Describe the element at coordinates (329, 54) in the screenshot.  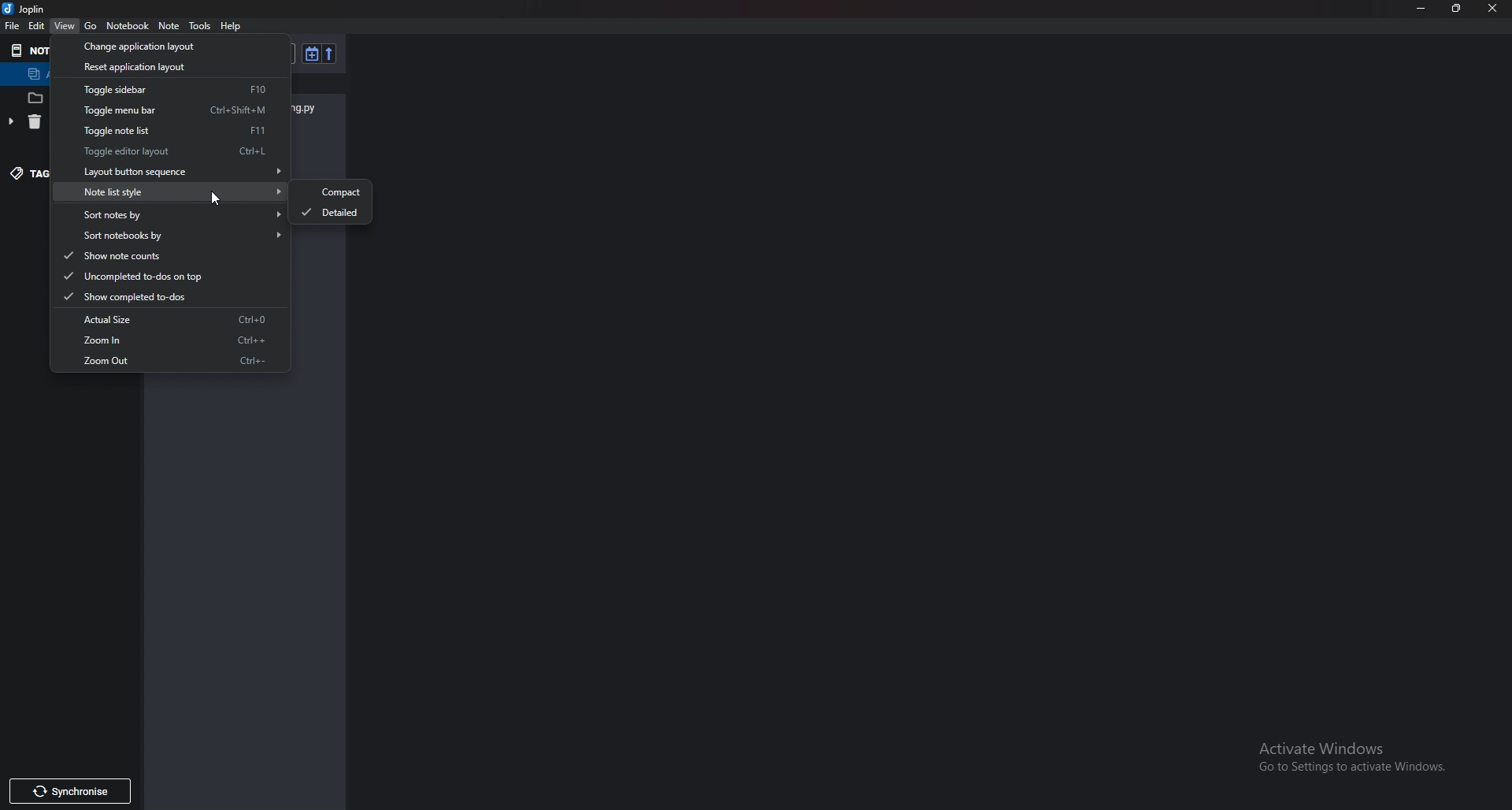
I see `Reverse sort order` at that location.